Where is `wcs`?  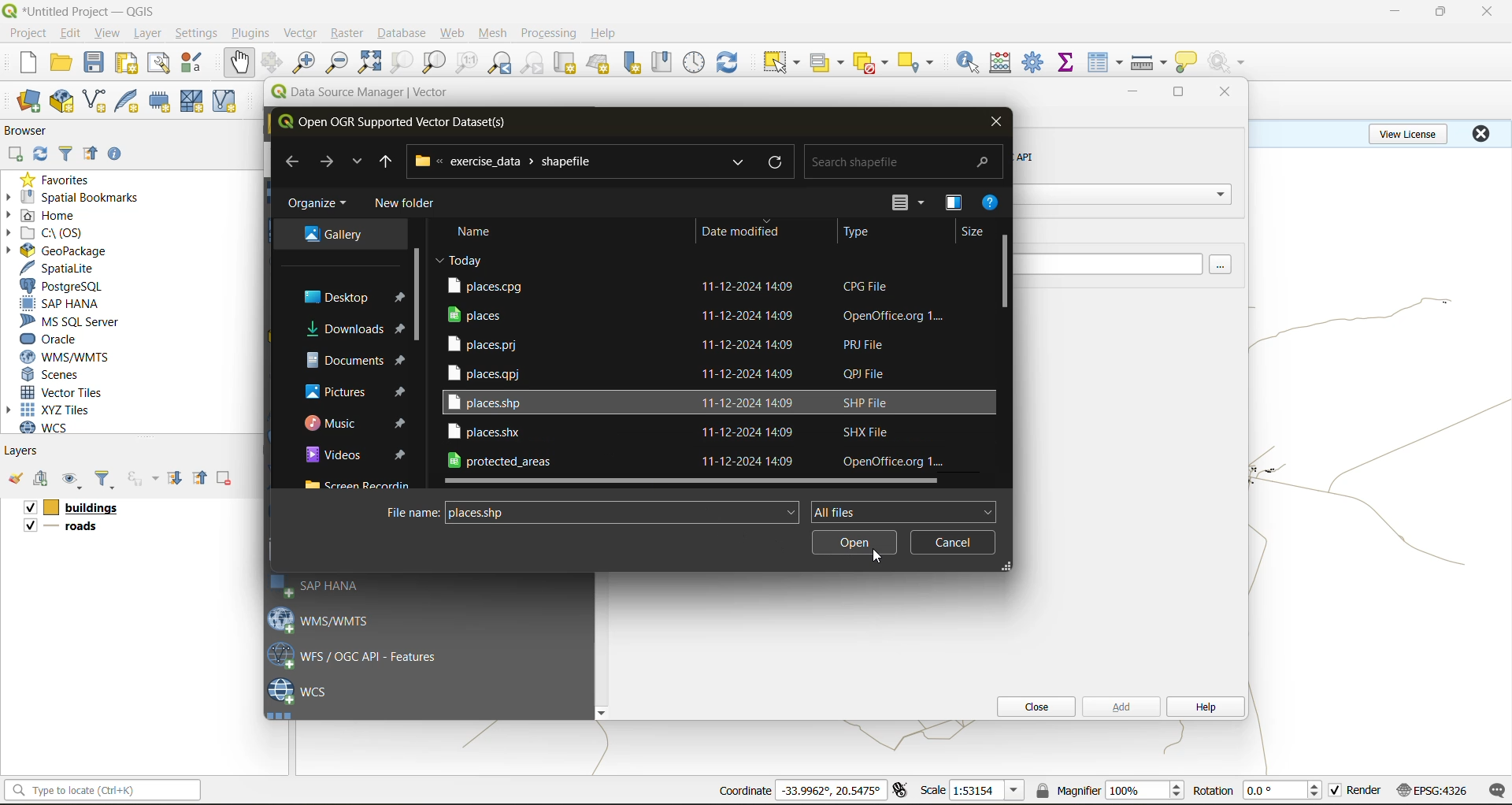 wcs is located at coordinates (299, 692).